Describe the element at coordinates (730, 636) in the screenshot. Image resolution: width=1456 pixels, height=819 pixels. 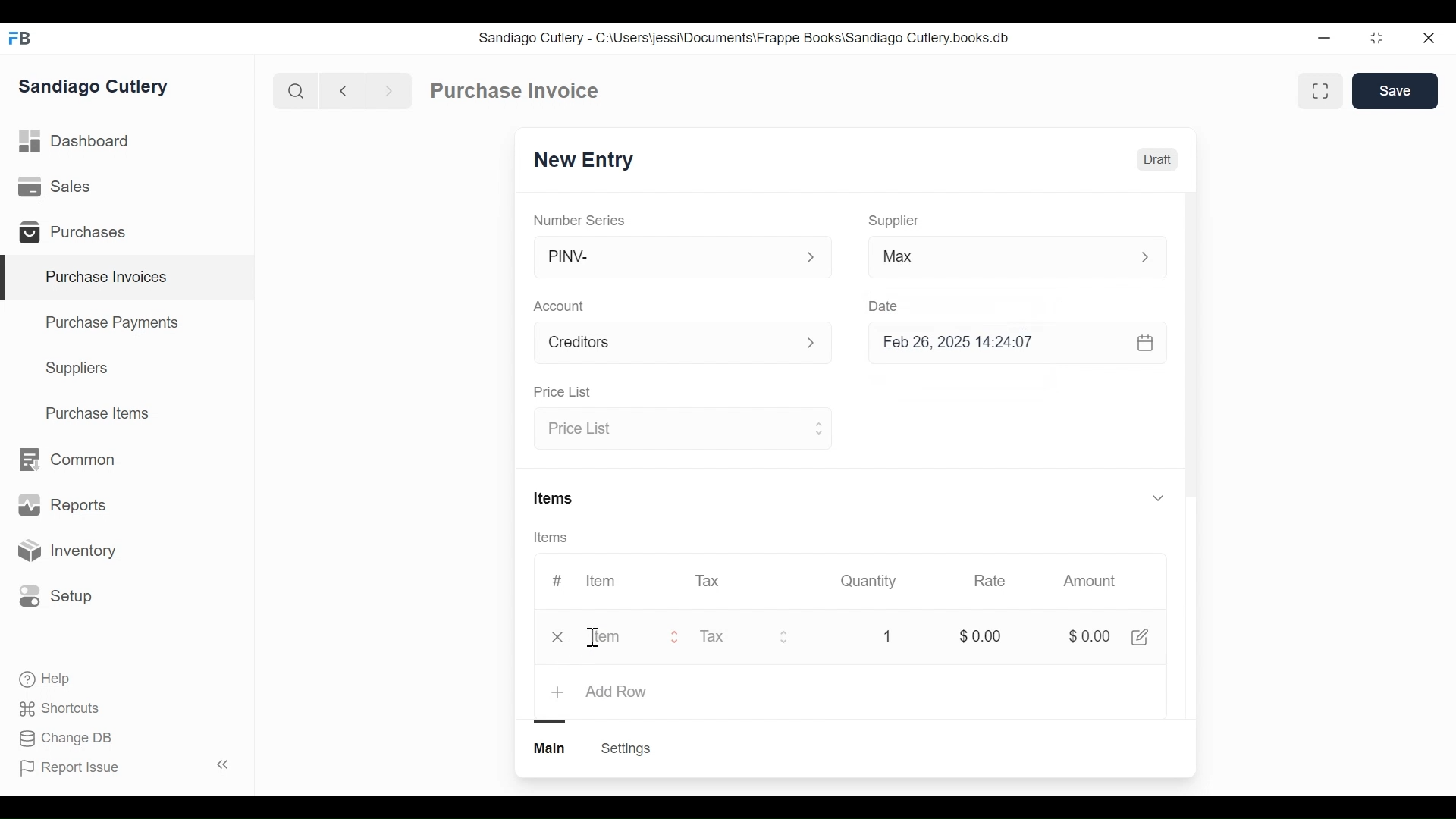
I see `Tax` at that location.